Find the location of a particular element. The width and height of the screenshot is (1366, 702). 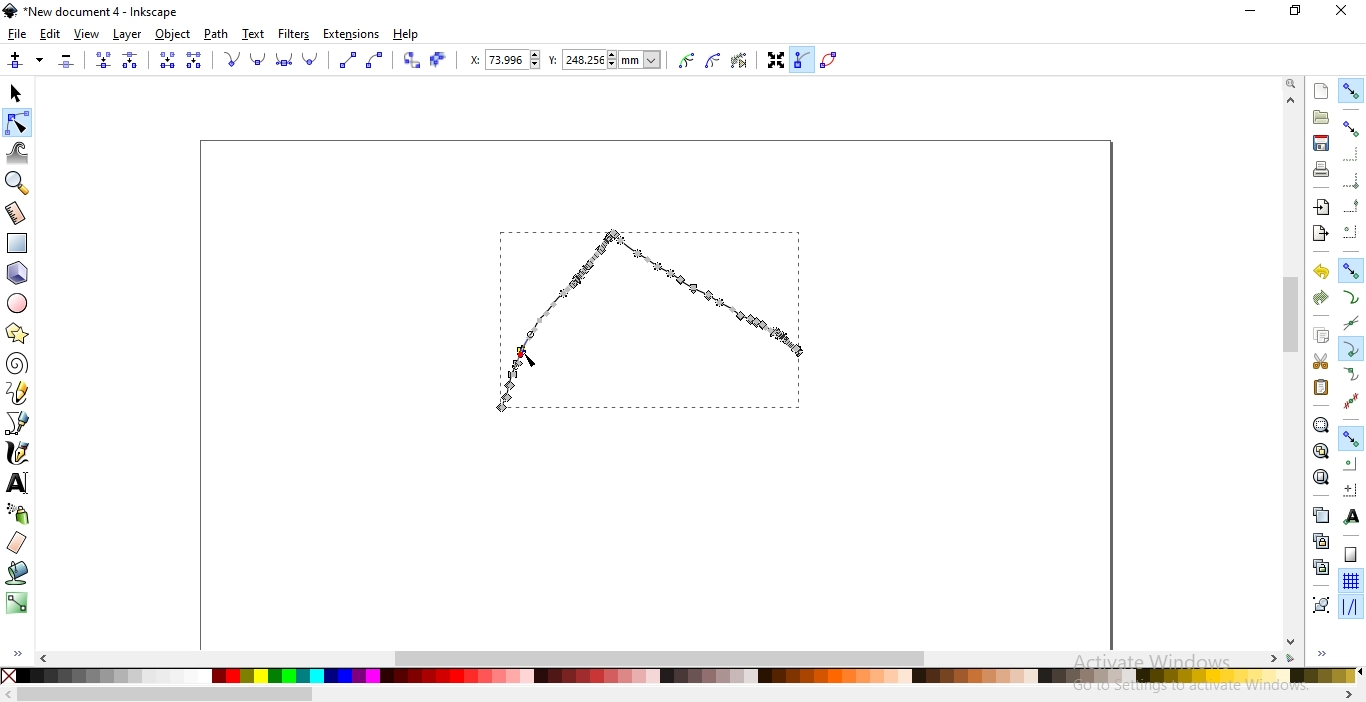

snap smooth nodes is located at coordinates (1351, 375).